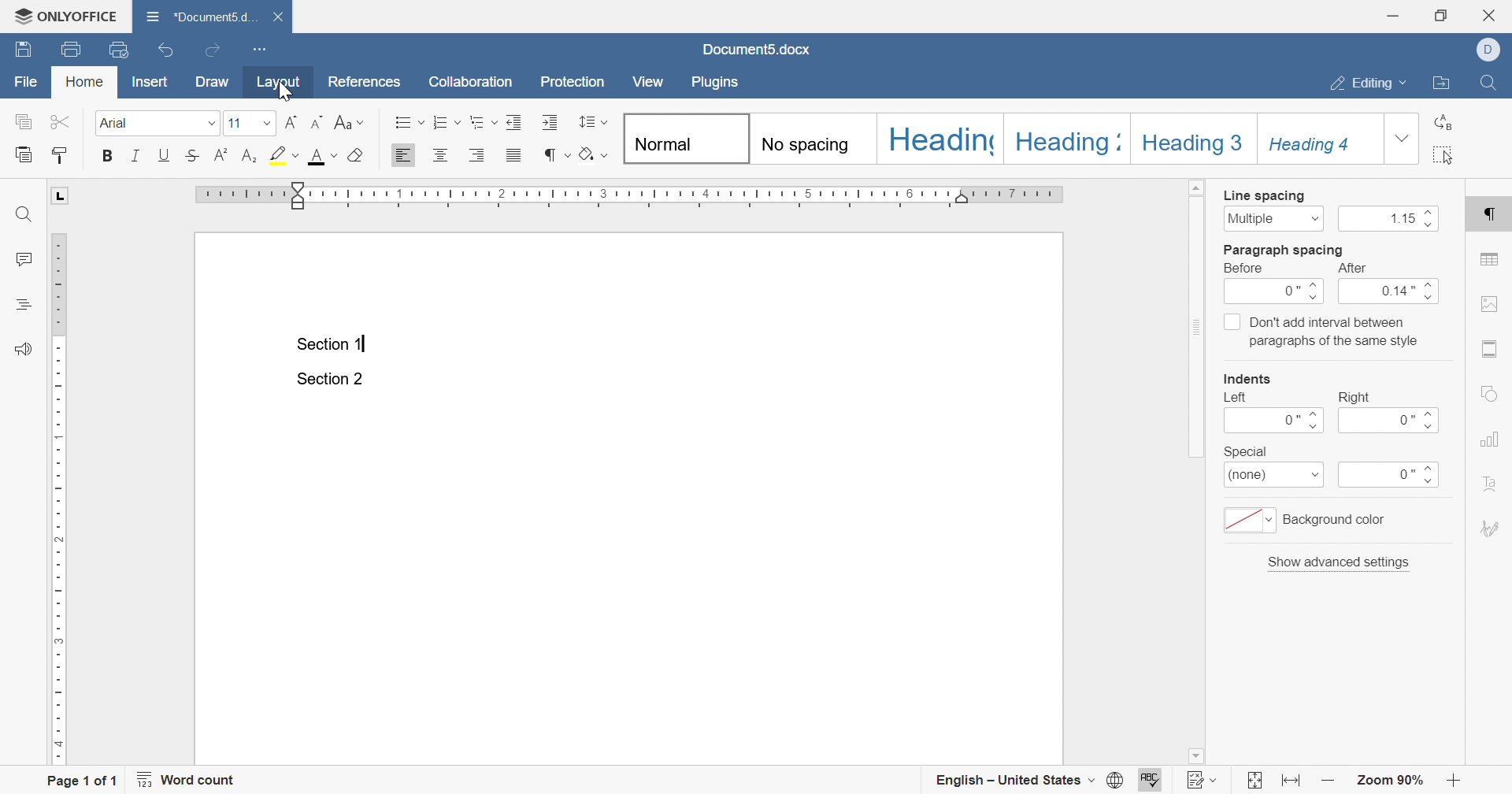 Image resolution: width=1512 pixels, height=794 pixels. Describe the element at coordinates (558, 155) in the screenshot. I see `nonprinting characters` at that location.